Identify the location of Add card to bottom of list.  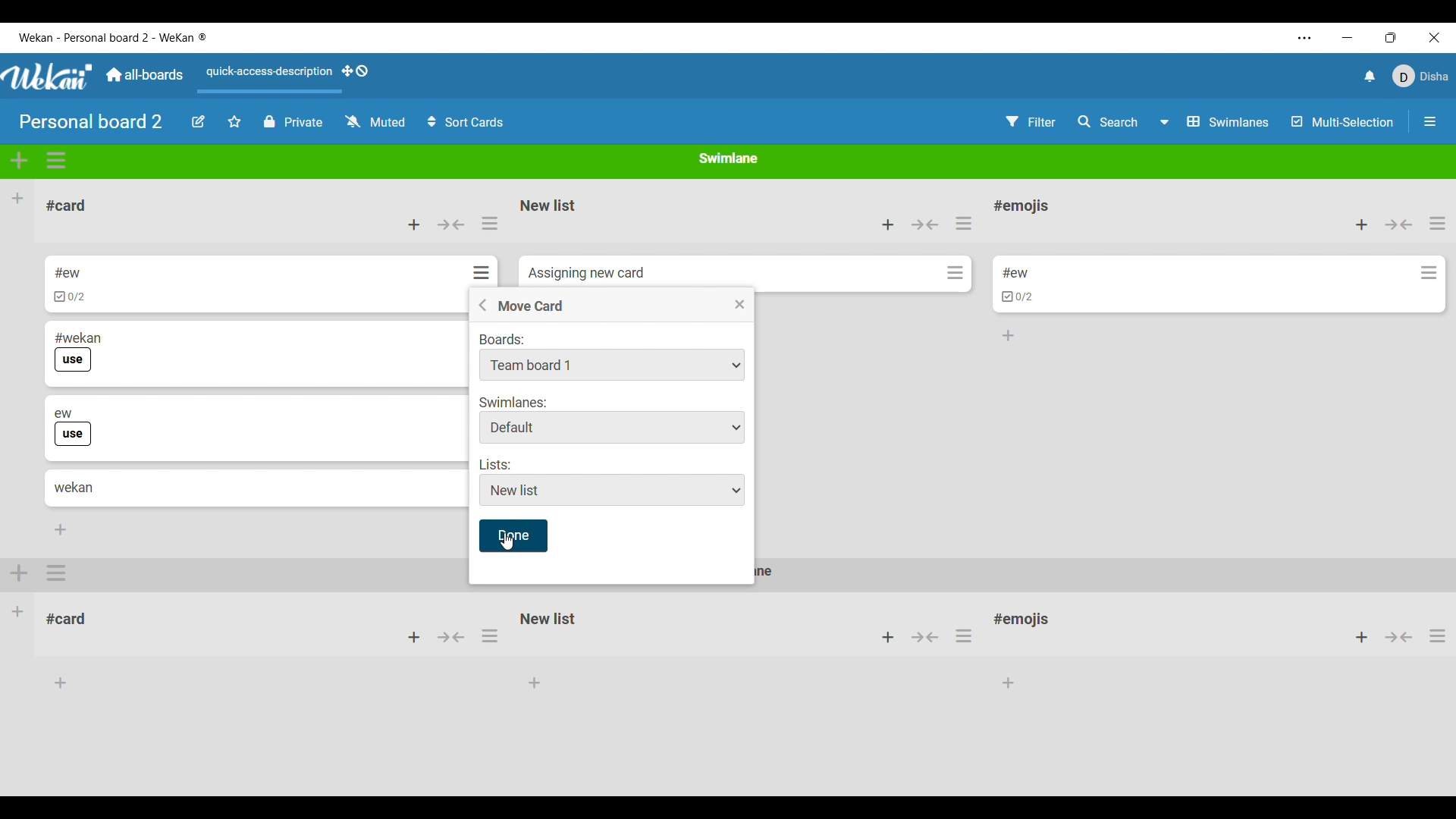
(61, 529).